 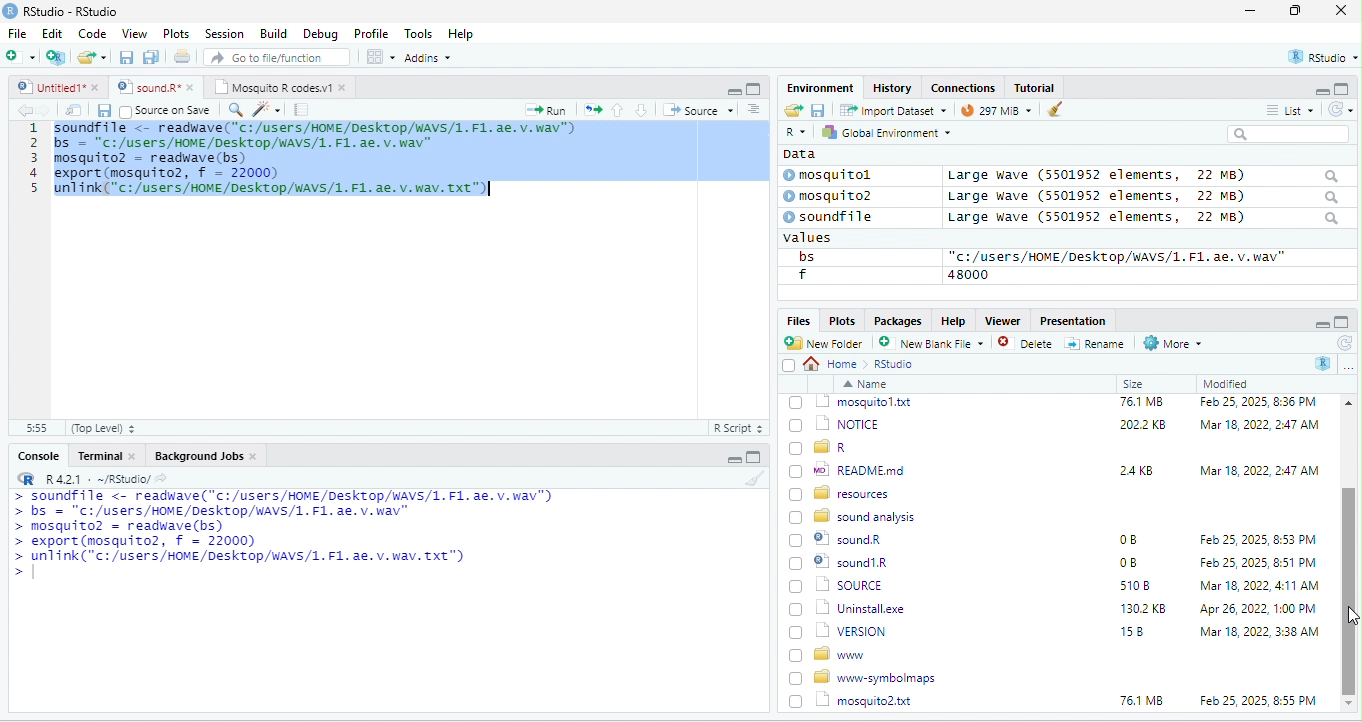 I want to click on save, so click(x=128, y=58).